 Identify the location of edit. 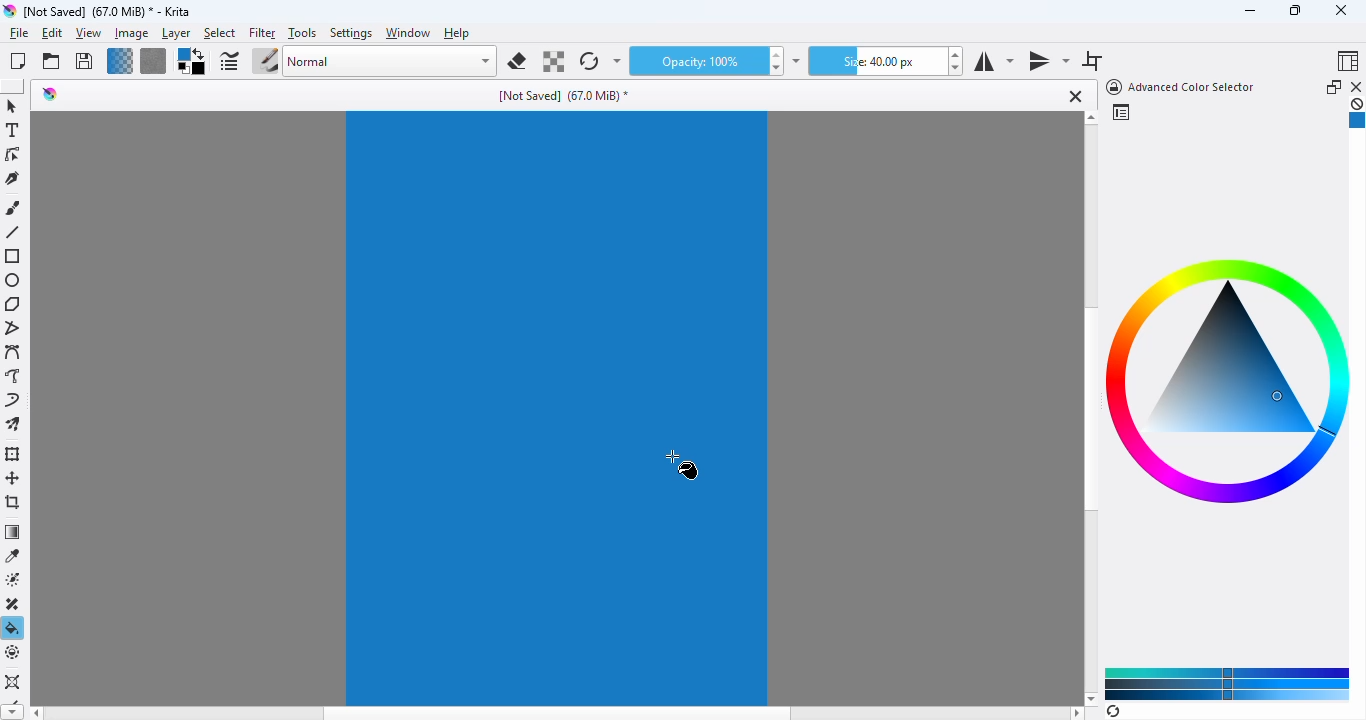
(51, 33).